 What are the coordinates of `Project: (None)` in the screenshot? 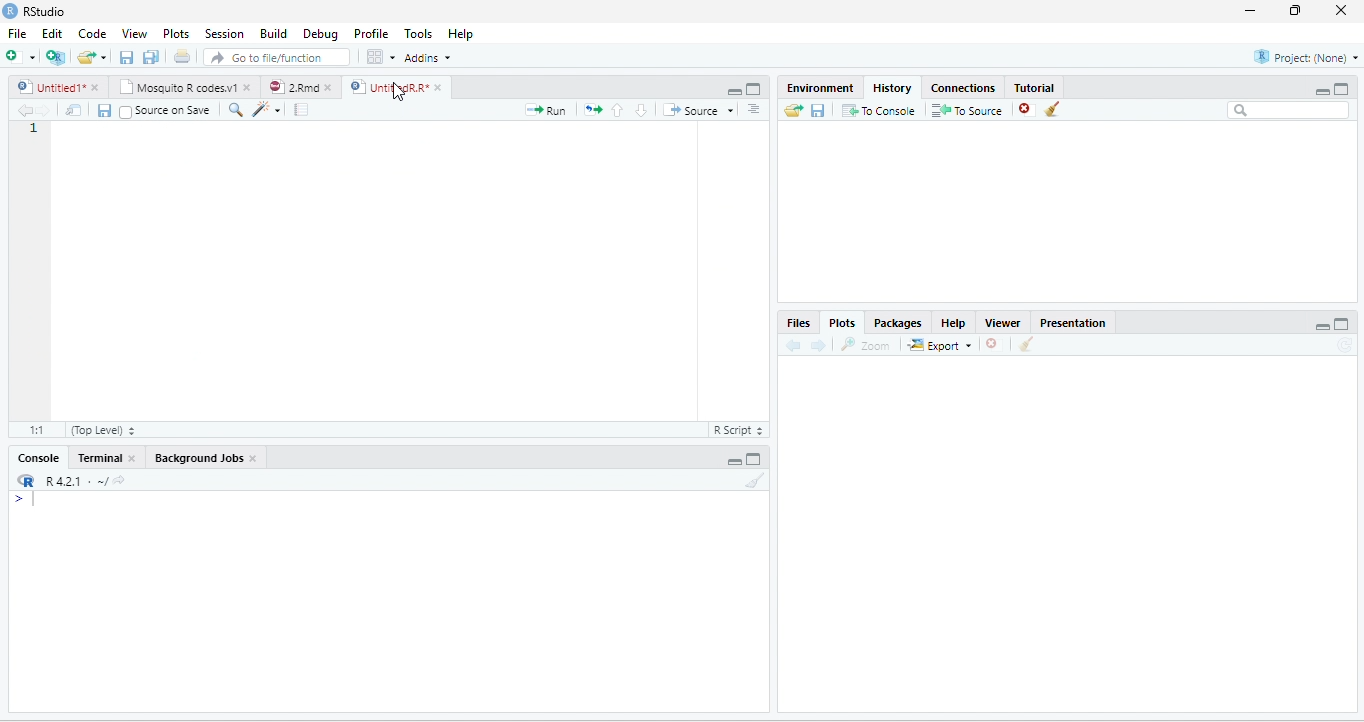 It's located at (1305, 57).